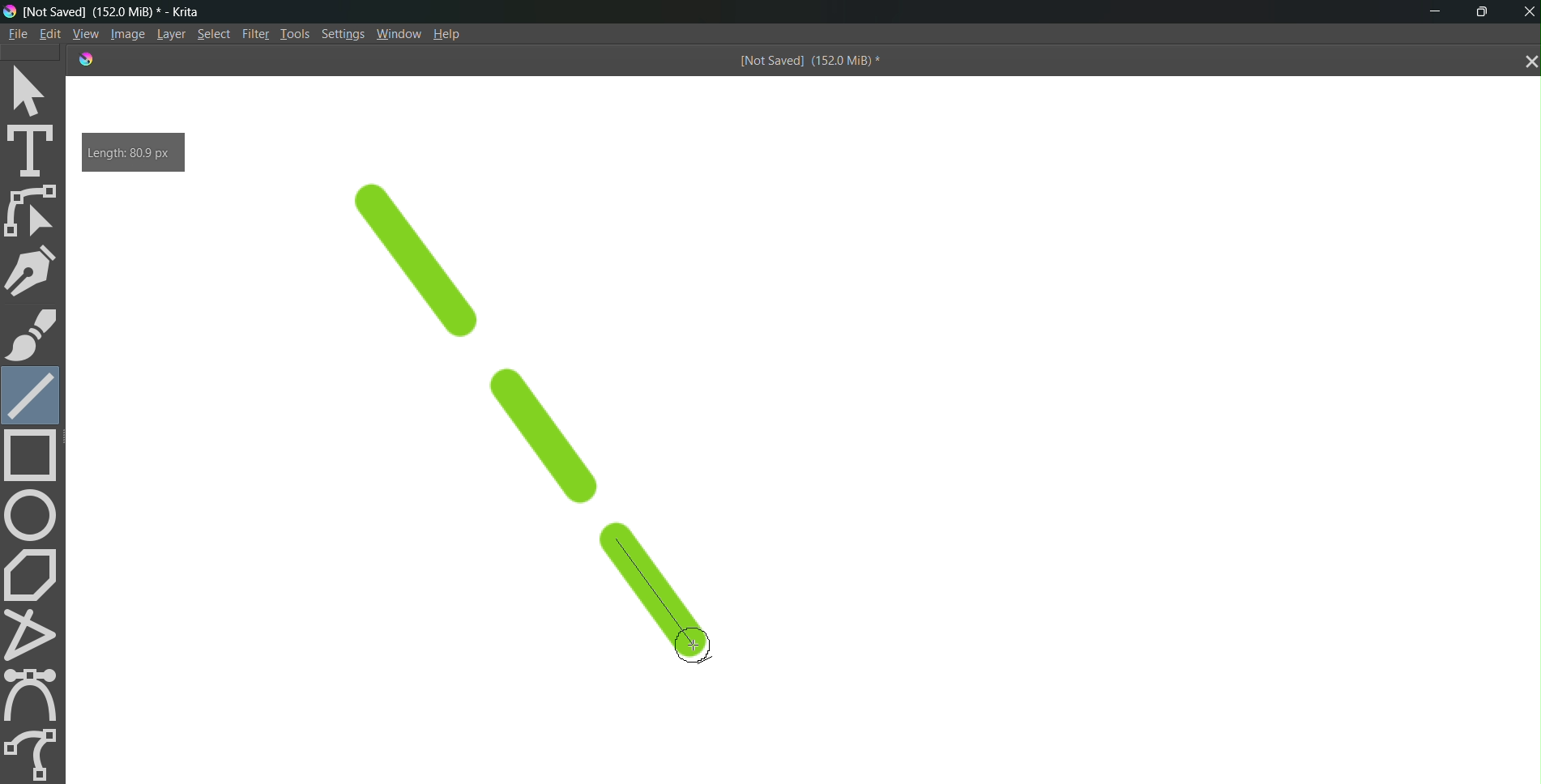 This screenshot has width=1541, height=784. What do you see at coordinates (125, 35) in the screenshot?
I see `Image` at bounding box center [125, 35].